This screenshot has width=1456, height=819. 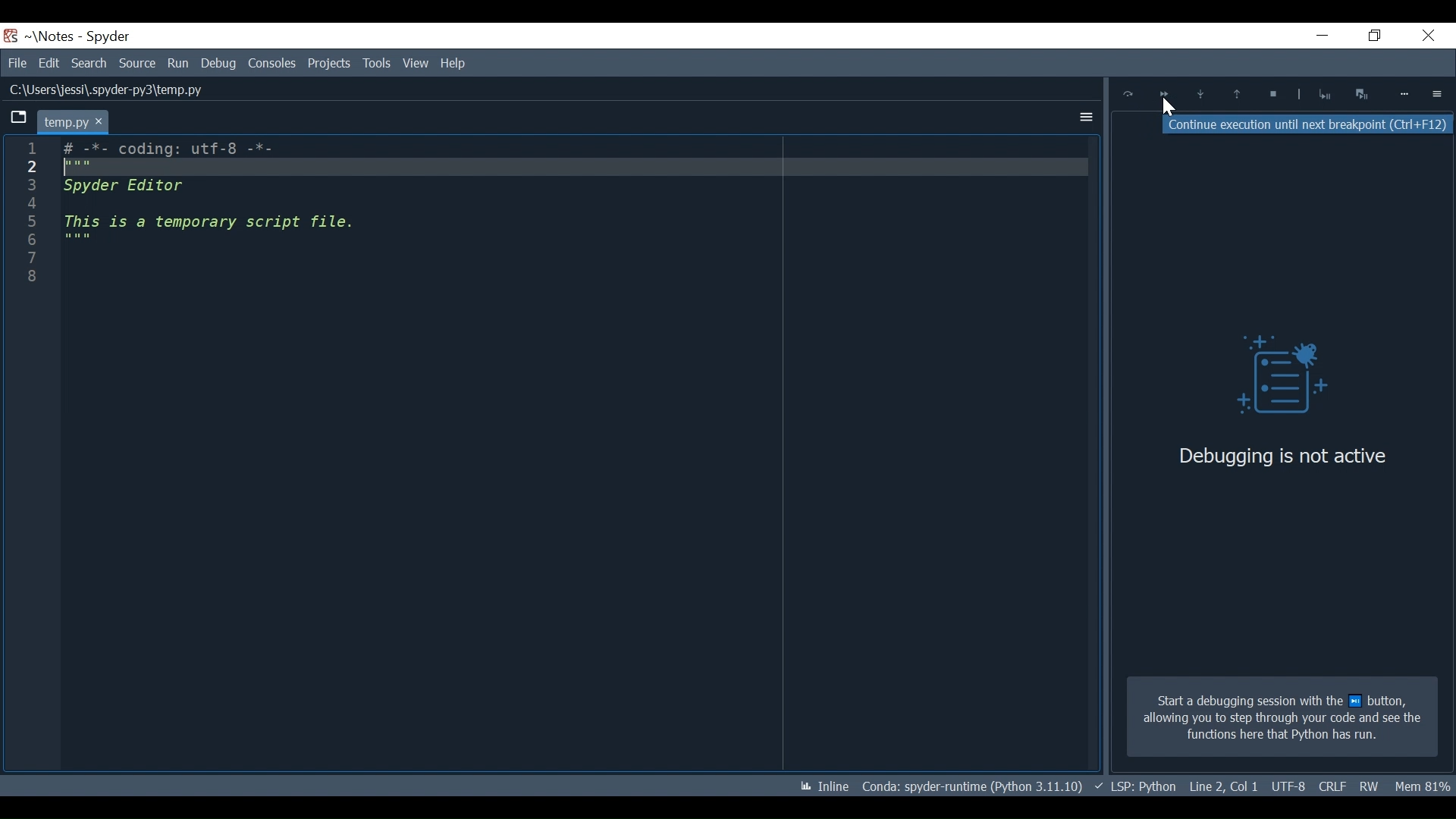 What do you see at coordinates (1425, 783) in the screenshot?
I see `Memory Usage` at bounding box center [1425, 783].